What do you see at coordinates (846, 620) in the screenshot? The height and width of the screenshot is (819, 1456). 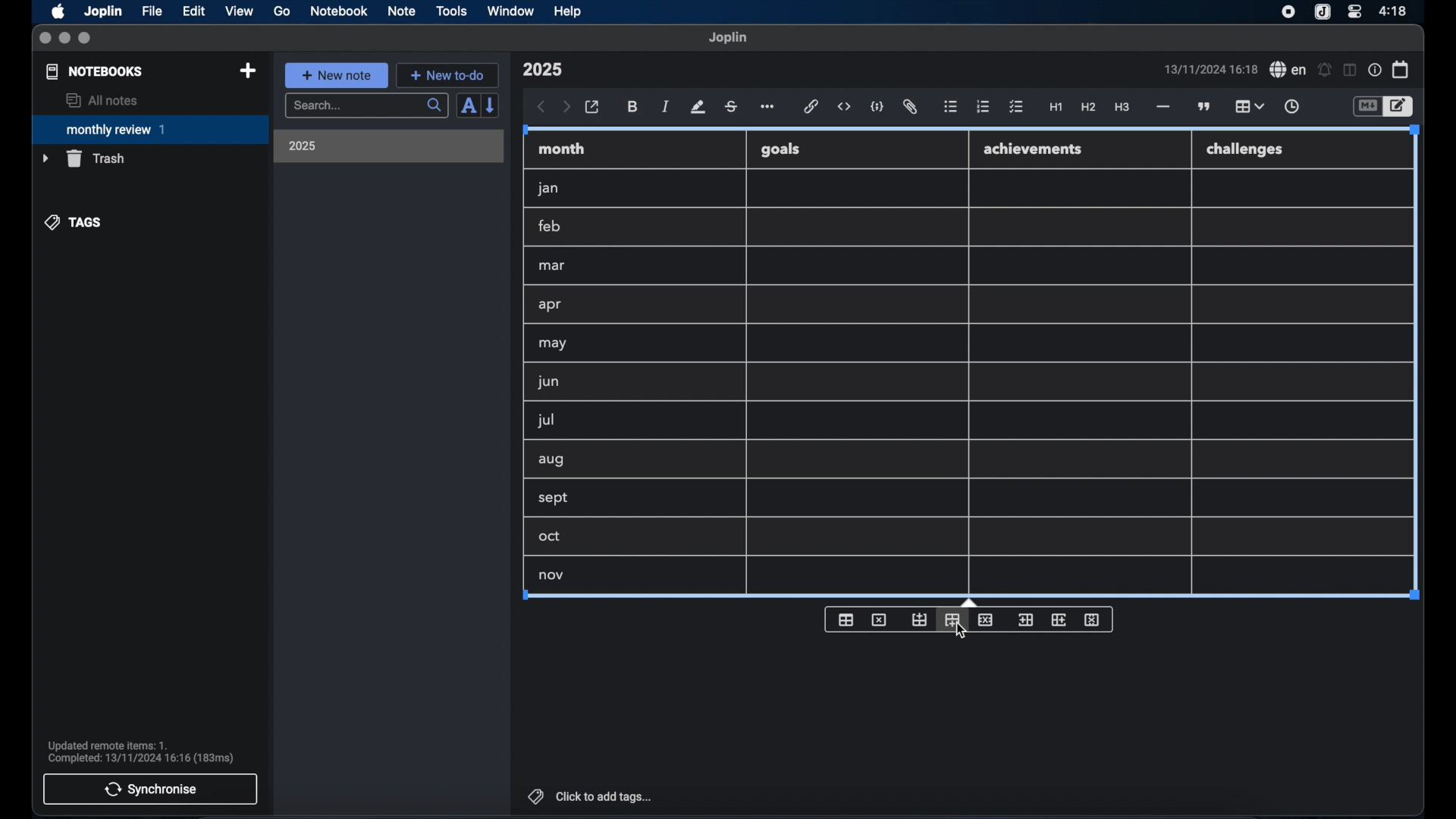 I see `insert table` at bounding box center [846, 620].